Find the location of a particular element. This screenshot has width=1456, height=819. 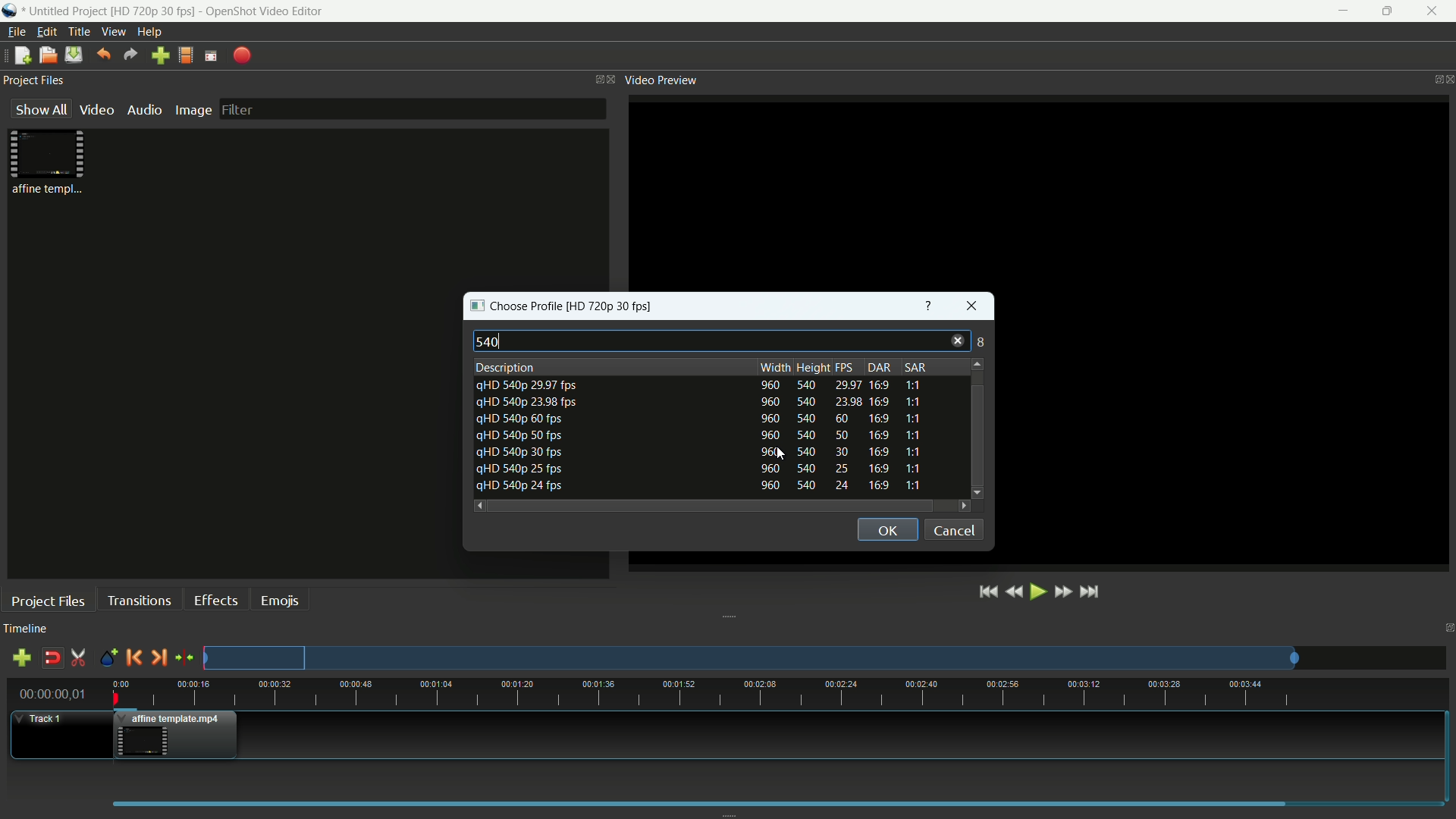

filter bar is located at coordinates (413, 109).